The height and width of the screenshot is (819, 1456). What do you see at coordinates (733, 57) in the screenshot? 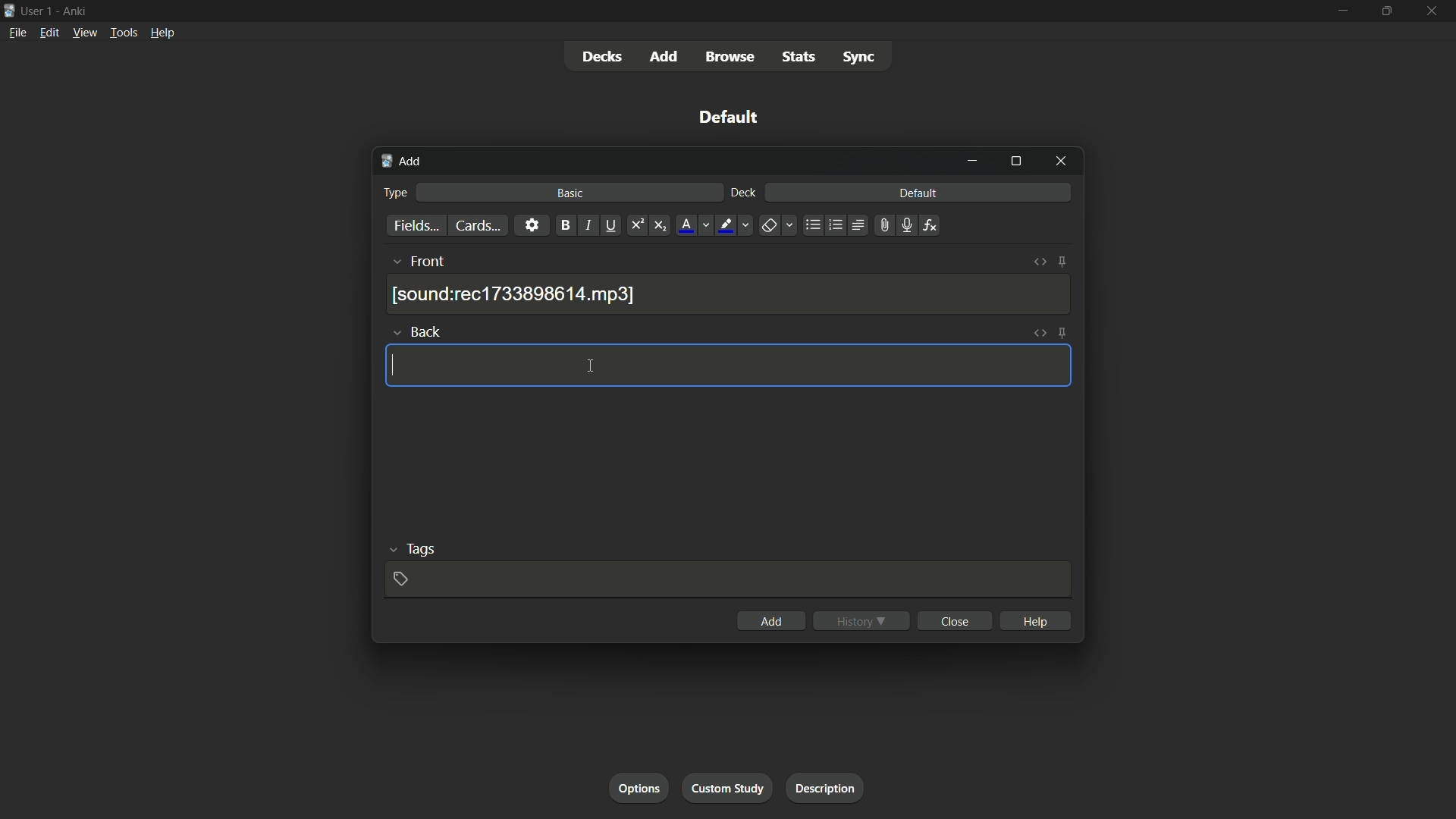
I see `browse` at bounding box center [733, 57].